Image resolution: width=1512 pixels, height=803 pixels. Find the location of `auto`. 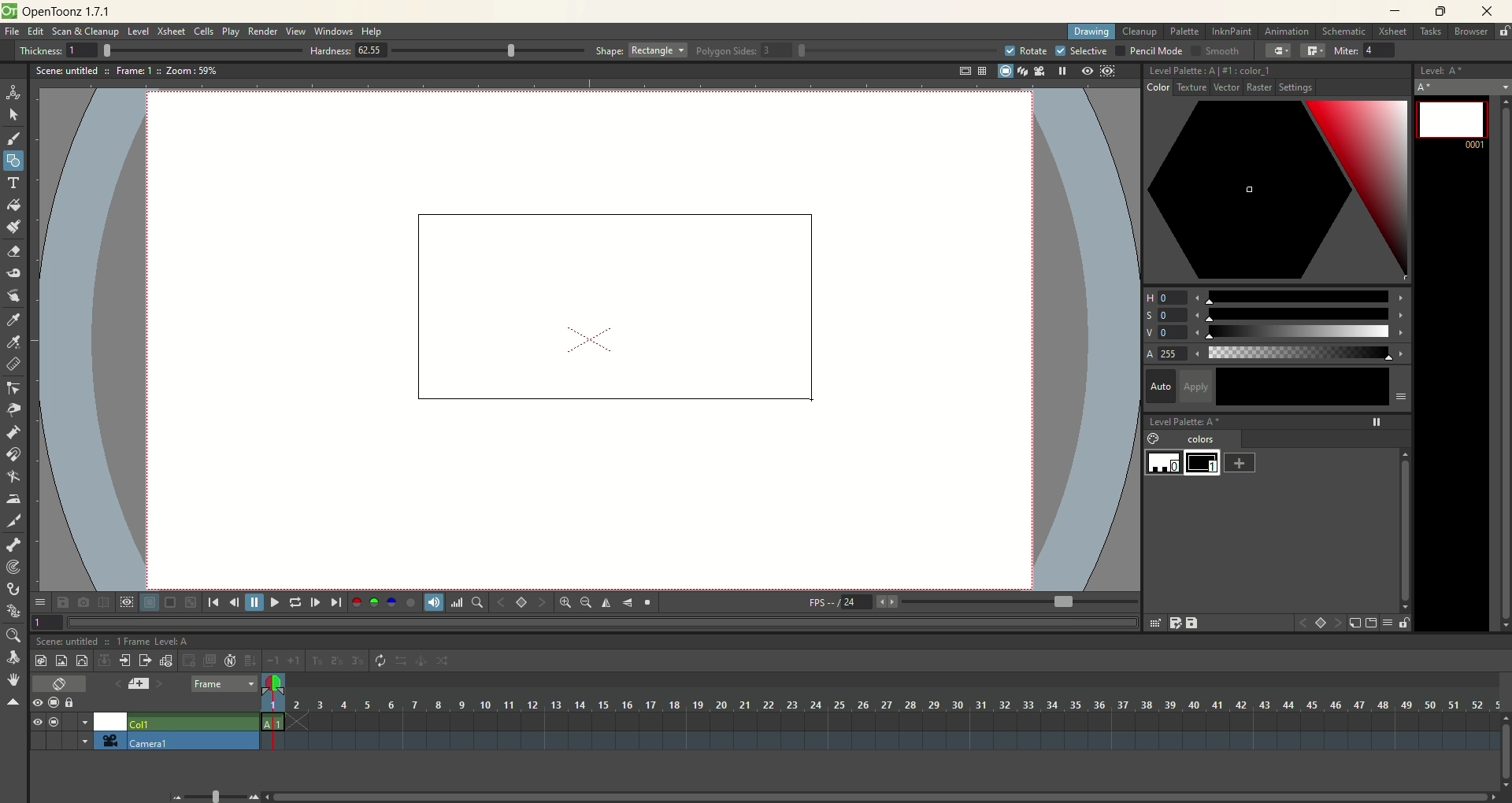

auto is located at coordinates (1160, 385).